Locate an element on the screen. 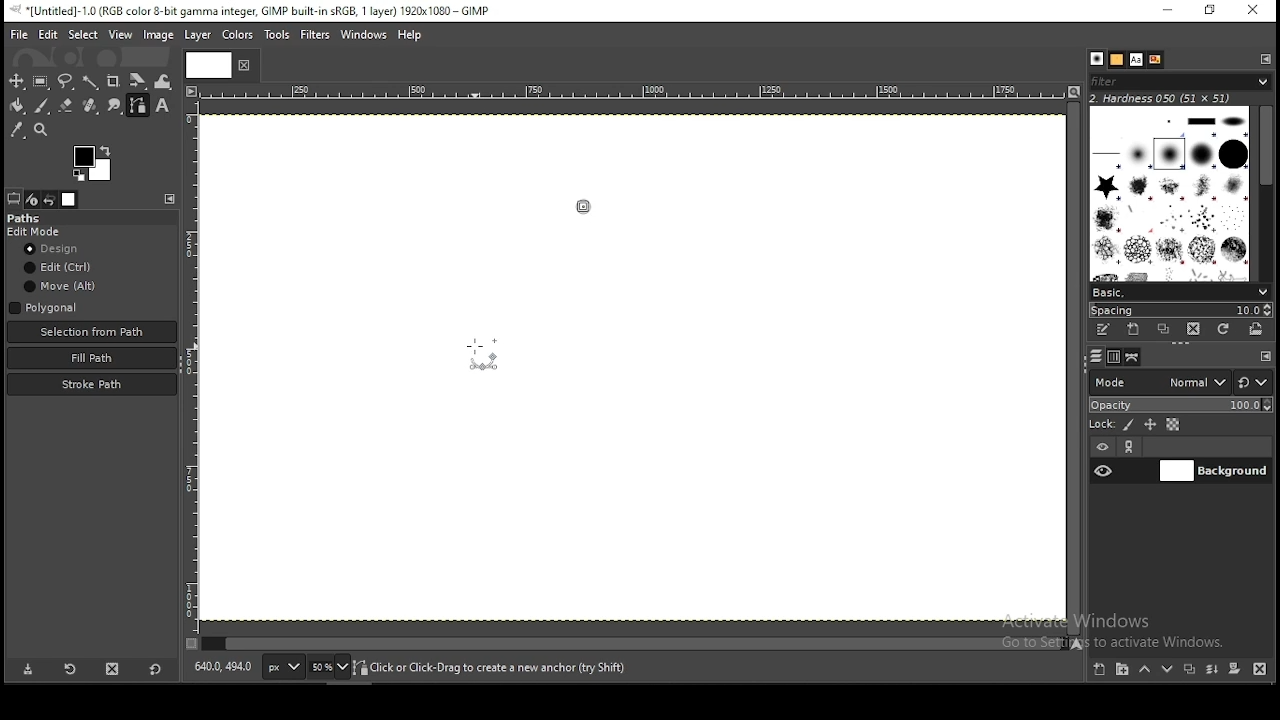 Image resolution: width=1280 pixels, height=720 pixels. restore is located at coordinates (1210, 11).